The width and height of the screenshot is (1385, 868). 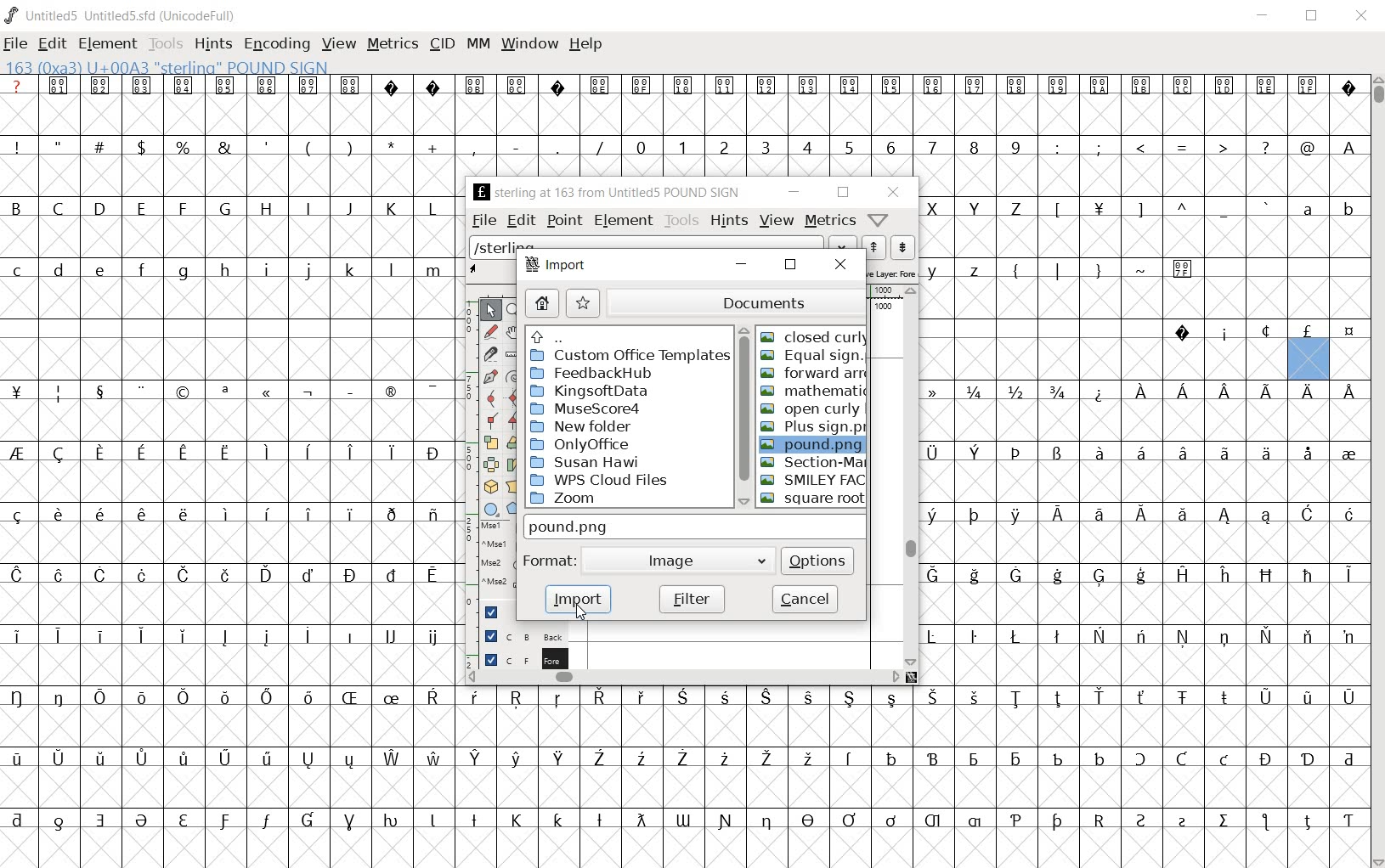 What do you see at coordinates (393, 573) in the screenshot?
I see `Symbol` at bounding box center [393, 573].